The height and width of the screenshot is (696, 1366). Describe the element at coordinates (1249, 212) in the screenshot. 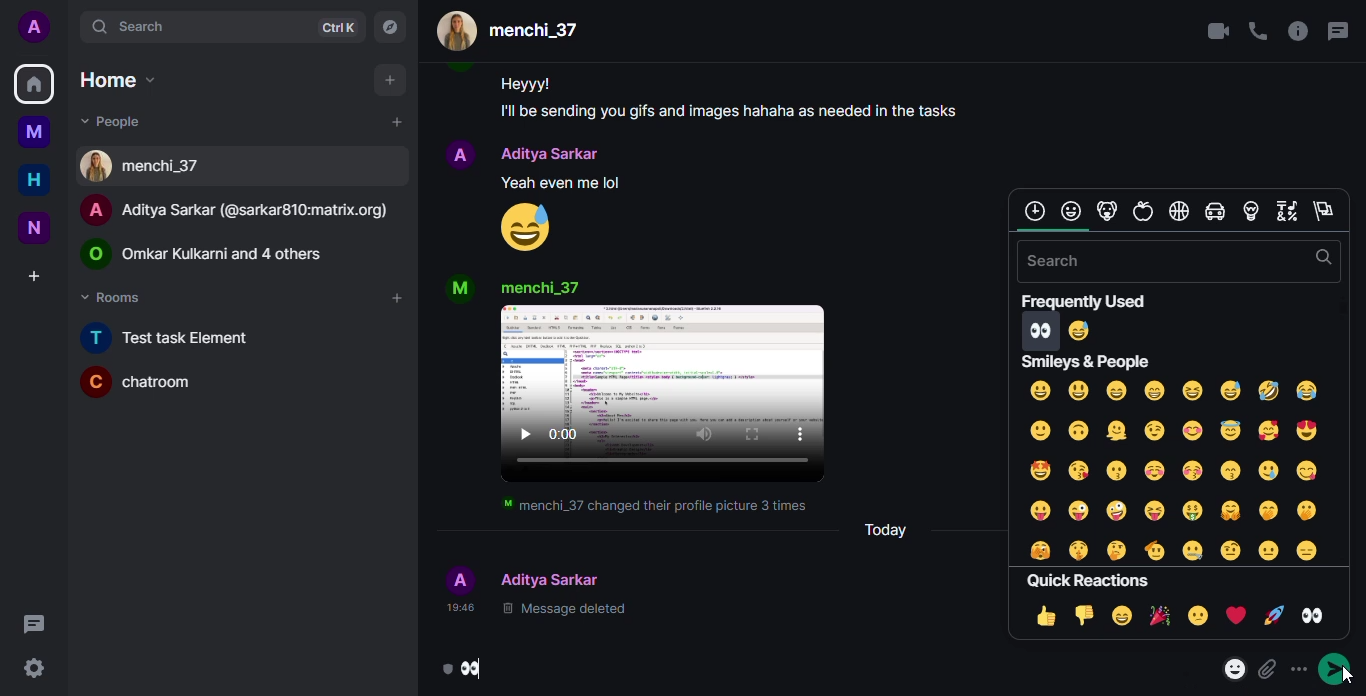

I see `objects` at that location.